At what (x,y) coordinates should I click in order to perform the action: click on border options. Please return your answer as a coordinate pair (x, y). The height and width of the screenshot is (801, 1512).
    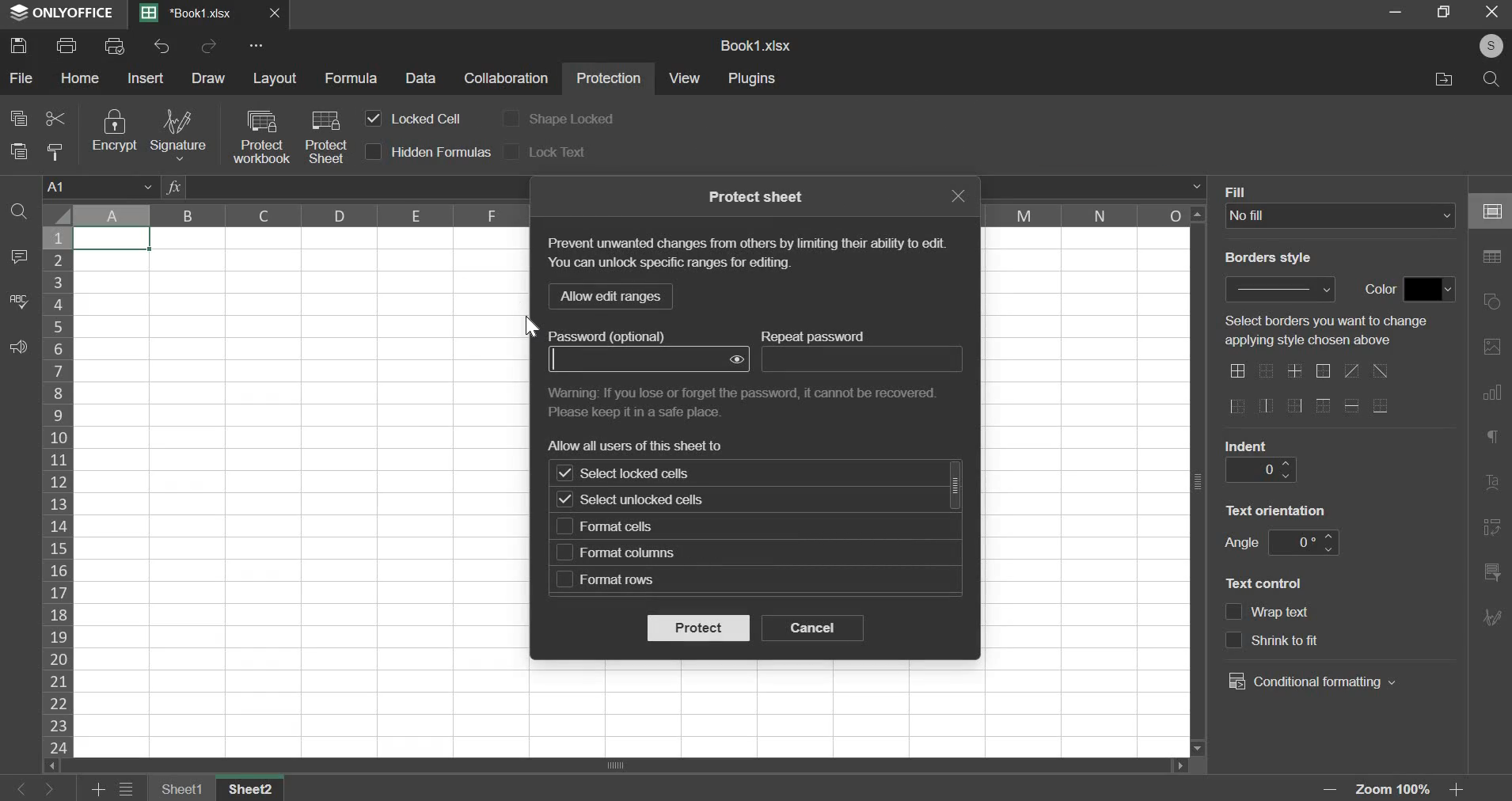
    Looking at the image, I should click on (1322, 372).